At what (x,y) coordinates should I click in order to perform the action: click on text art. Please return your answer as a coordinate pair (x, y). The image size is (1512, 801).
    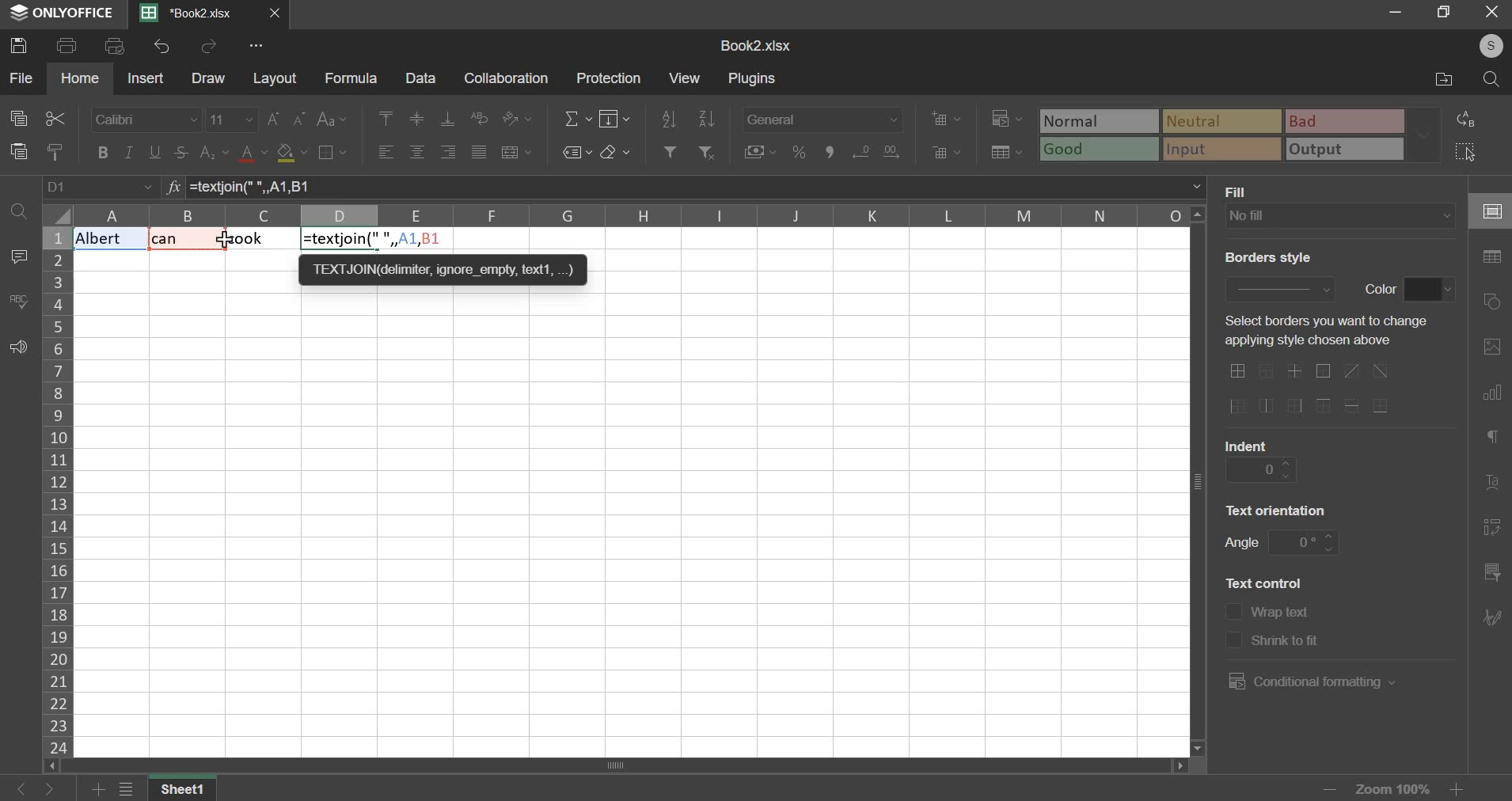
    Looking at the image, I should click on (1492, 487).